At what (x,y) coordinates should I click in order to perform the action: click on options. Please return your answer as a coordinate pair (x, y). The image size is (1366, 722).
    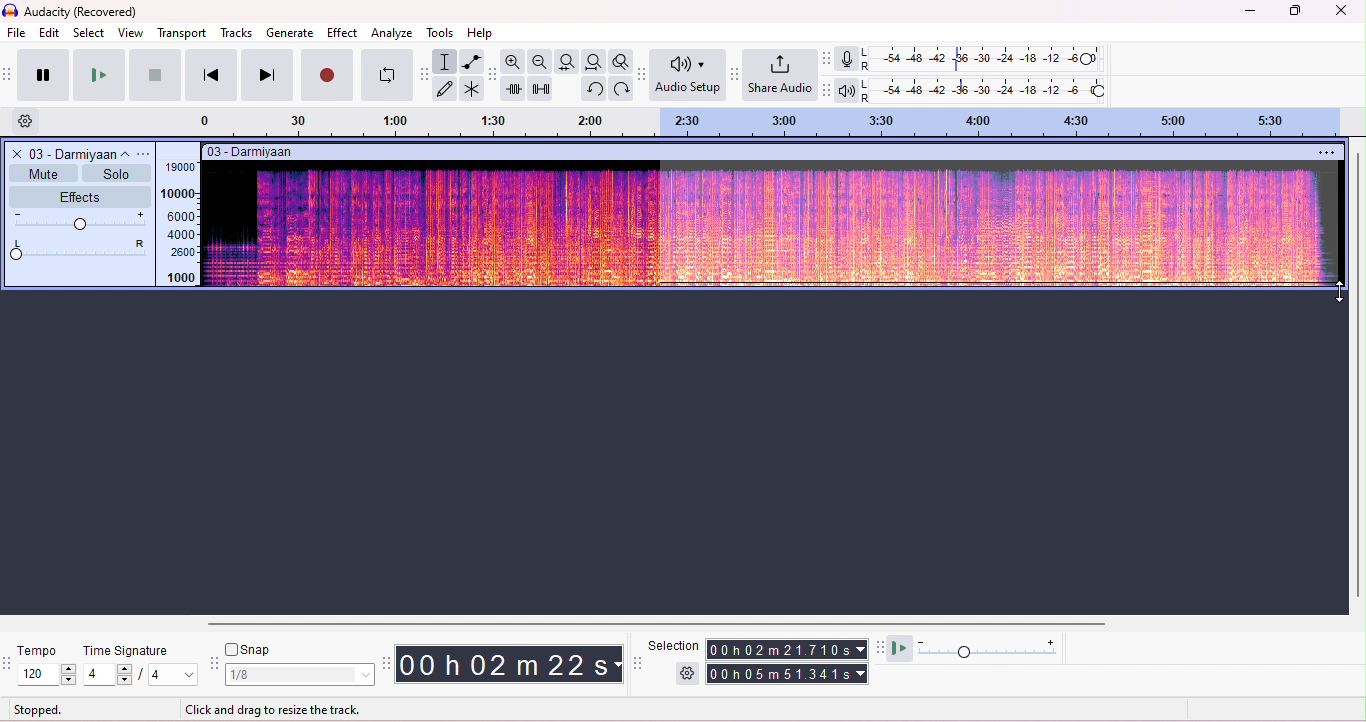
    Looking at the image, I should click on (1328, 151).